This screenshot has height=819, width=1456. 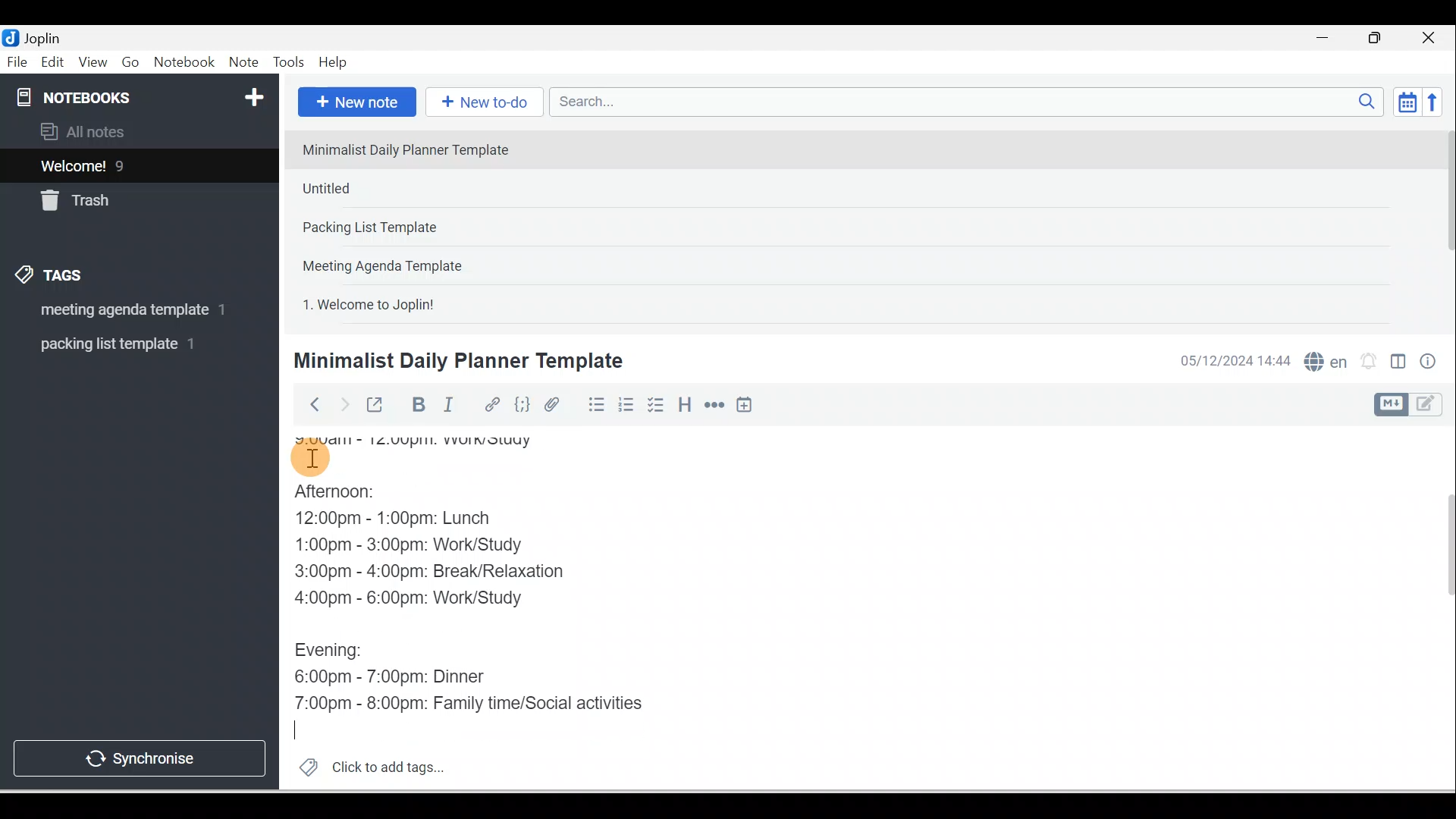 What do you see at coordinates (481, 103) in the screenshot?
I see `New to-do` at bounding box center [481, 103].